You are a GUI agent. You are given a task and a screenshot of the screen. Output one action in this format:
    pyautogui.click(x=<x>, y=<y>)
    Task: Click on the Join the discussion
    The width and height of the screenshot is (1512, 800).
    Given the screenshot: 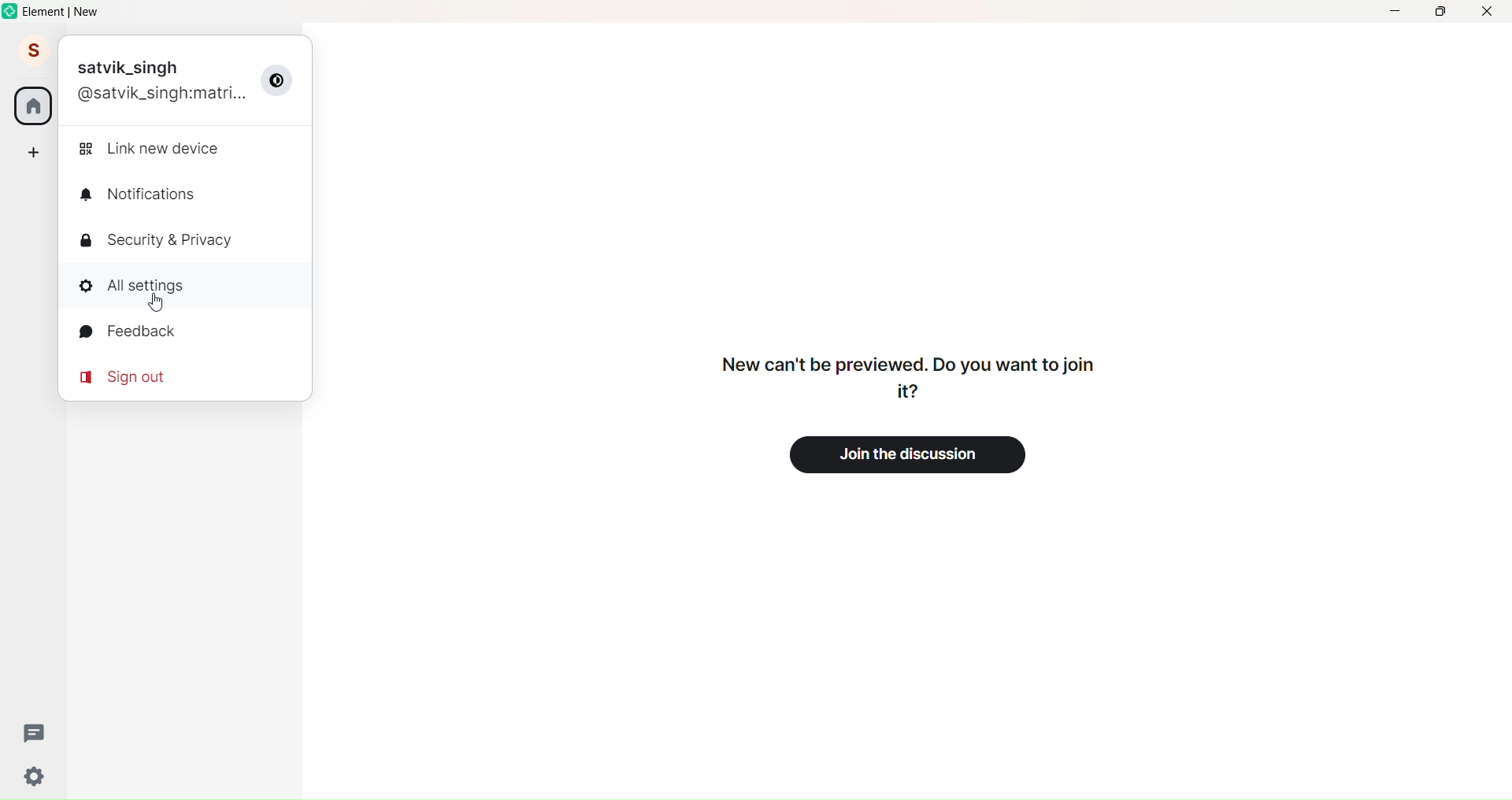 What is the action you would take?
    pyautogui.click(x=917, y=454)
    